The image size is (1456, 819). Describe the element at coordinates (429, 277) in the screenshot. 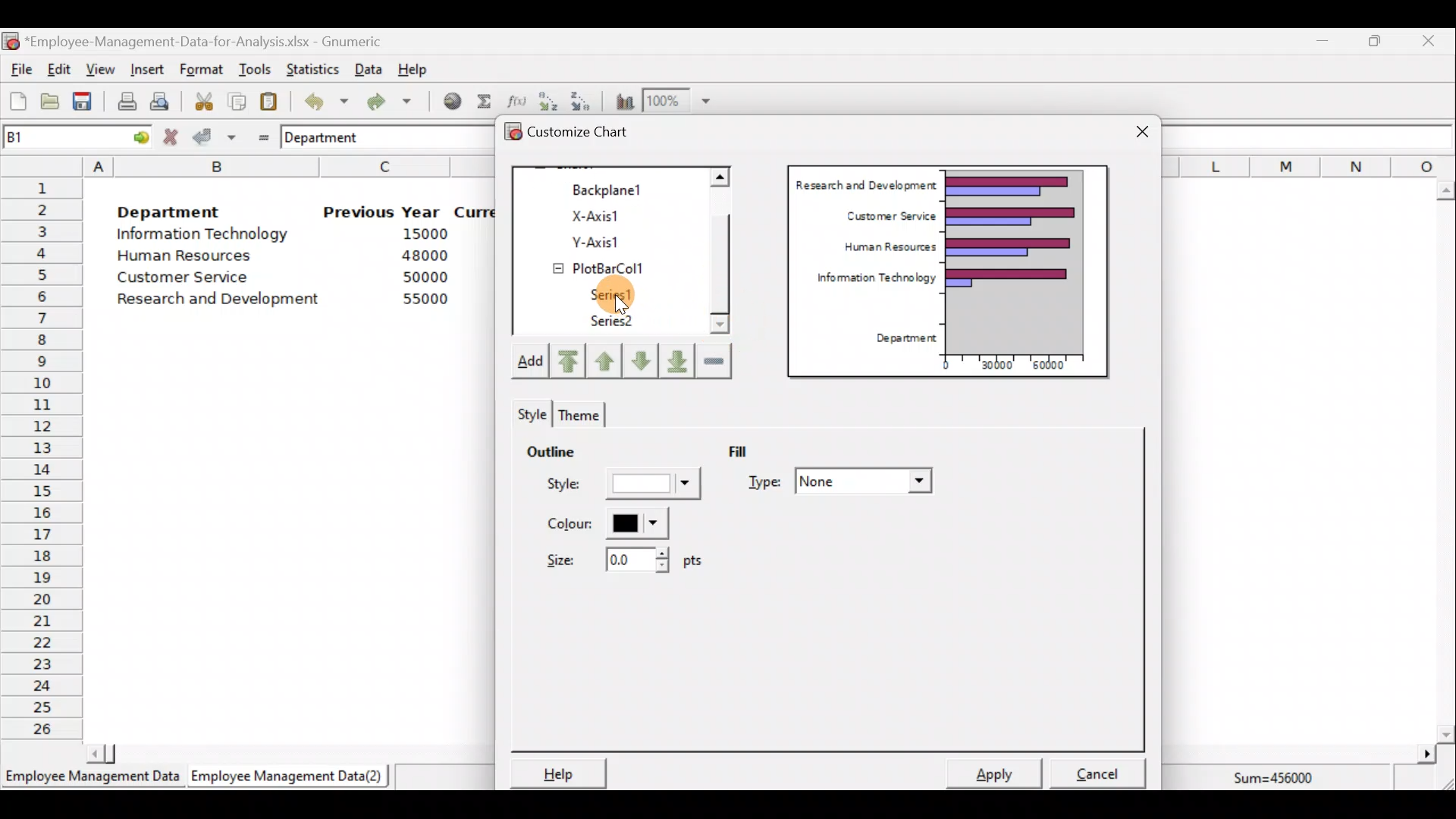

I see `50000` at that location.